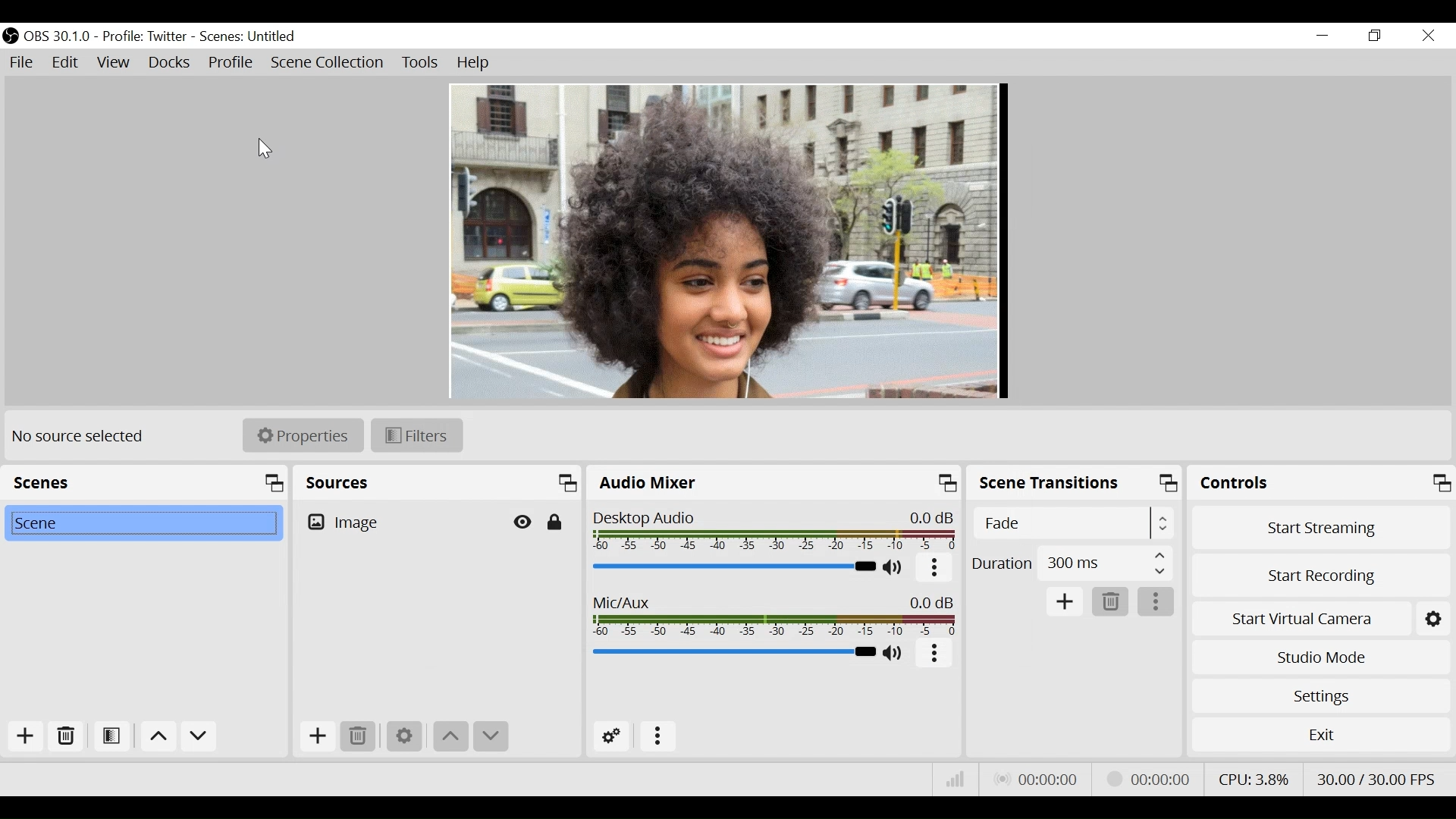 The image size is (1456, 819). Describe the element at coordinates (1320, 574) in the screenshot. I see `Start Recording` at that location.